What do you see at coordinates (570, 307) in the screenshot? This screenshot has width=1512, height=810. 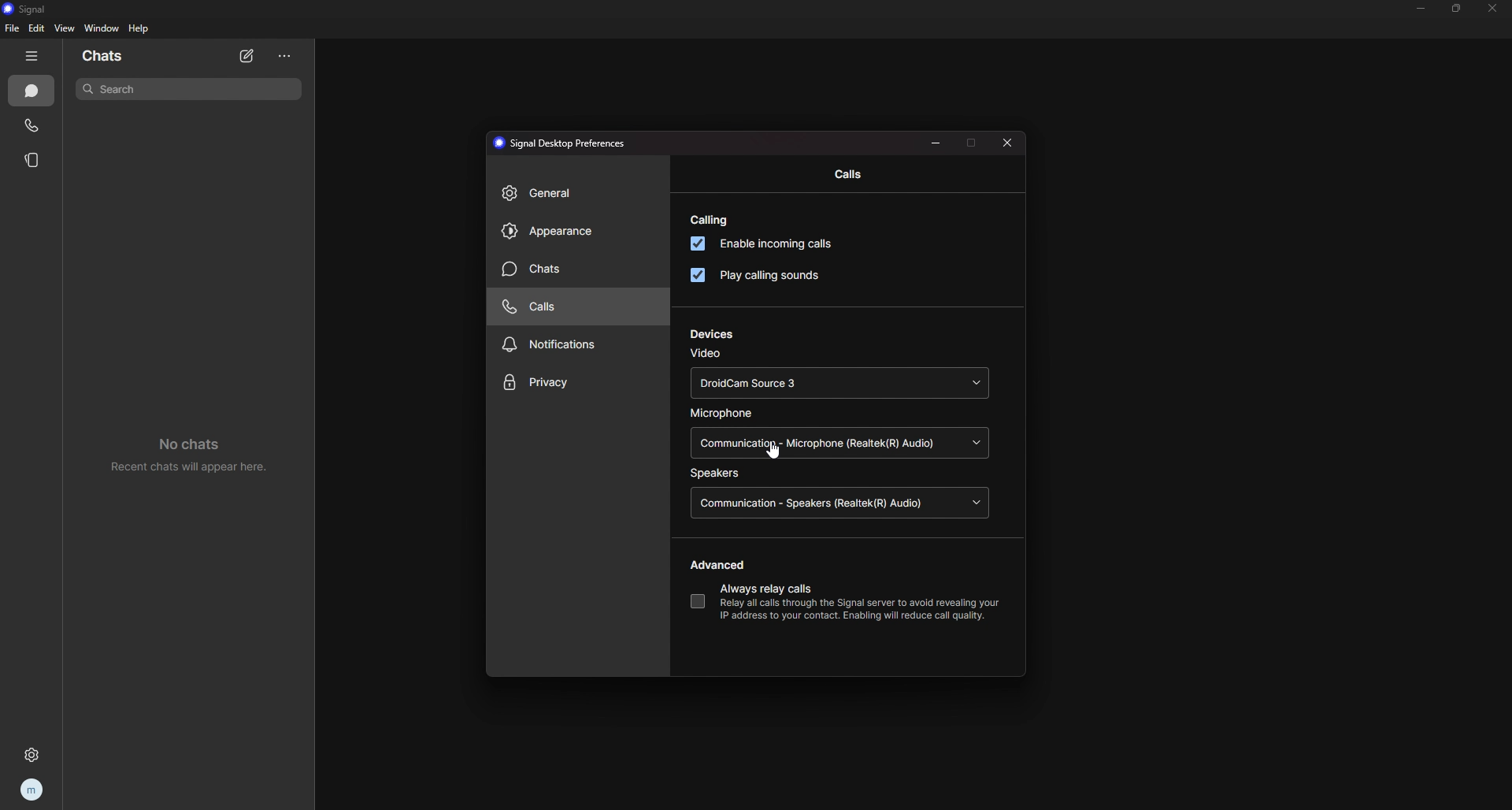 I see `calls` at bounding box center [570, 307].